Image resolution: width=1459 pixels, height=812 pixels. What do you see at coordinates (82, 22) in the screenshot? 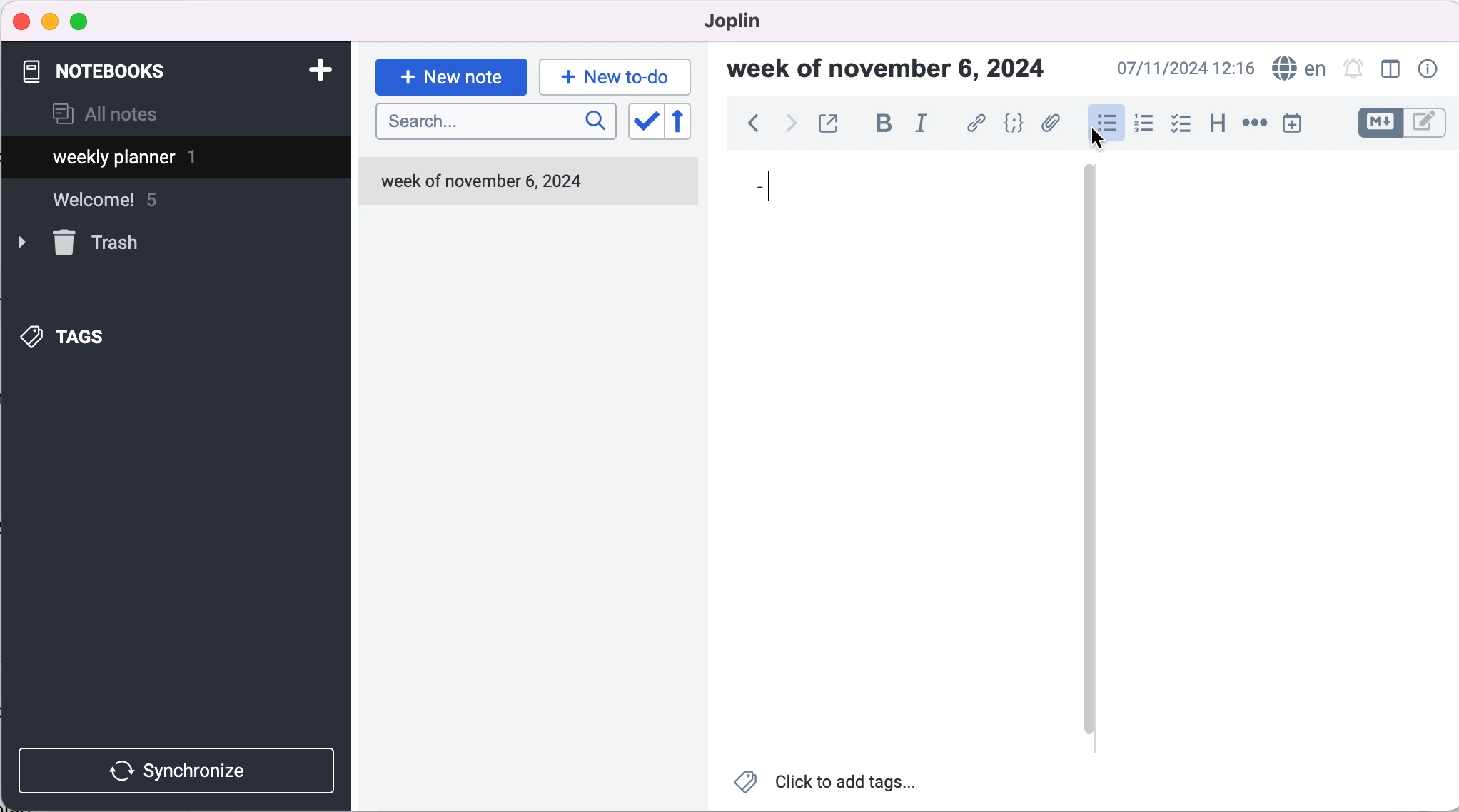
I see `maximize` at bounding box center [82, 22].